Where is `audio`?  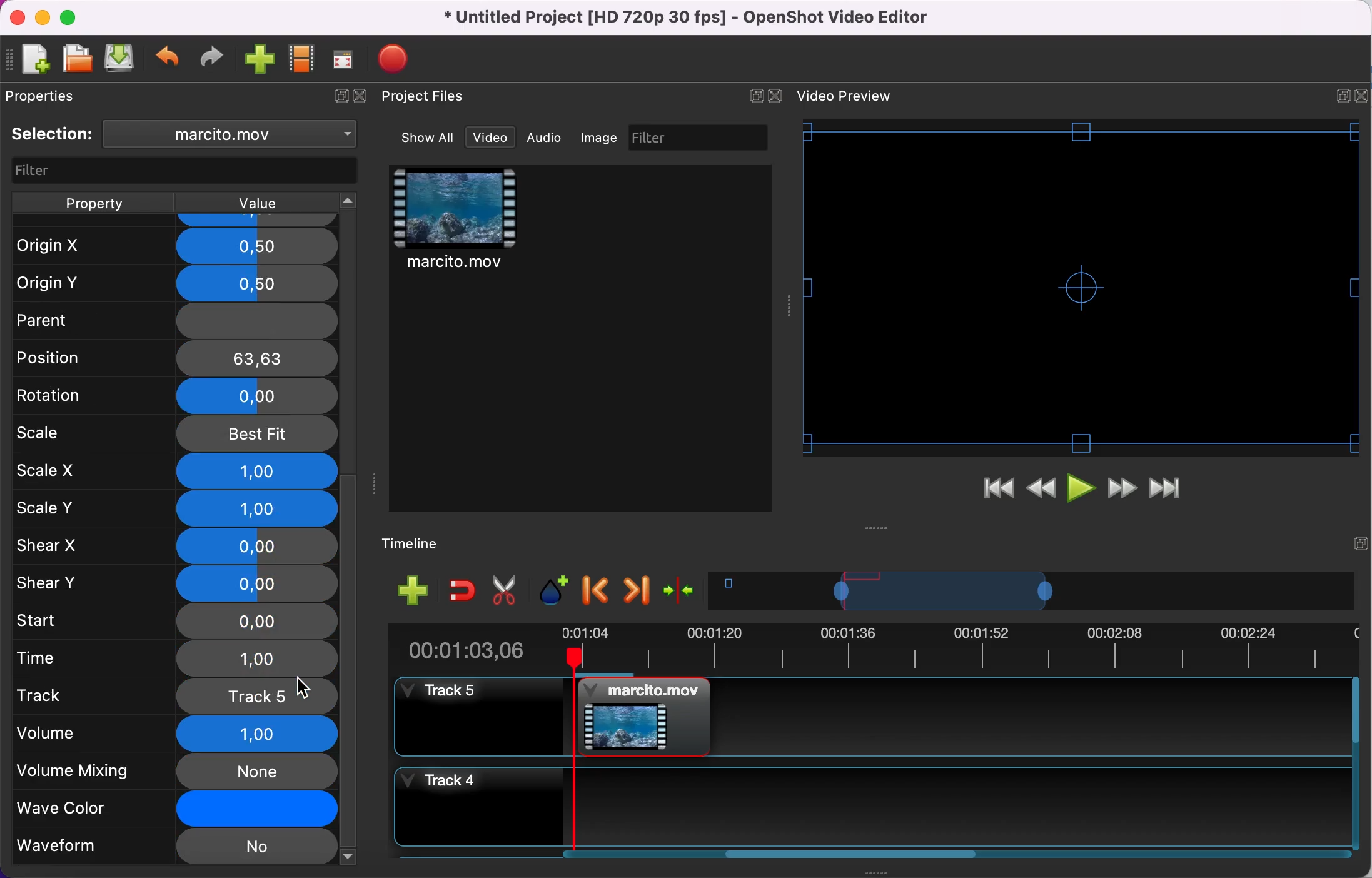
audio is located at coordinates (545, 137).